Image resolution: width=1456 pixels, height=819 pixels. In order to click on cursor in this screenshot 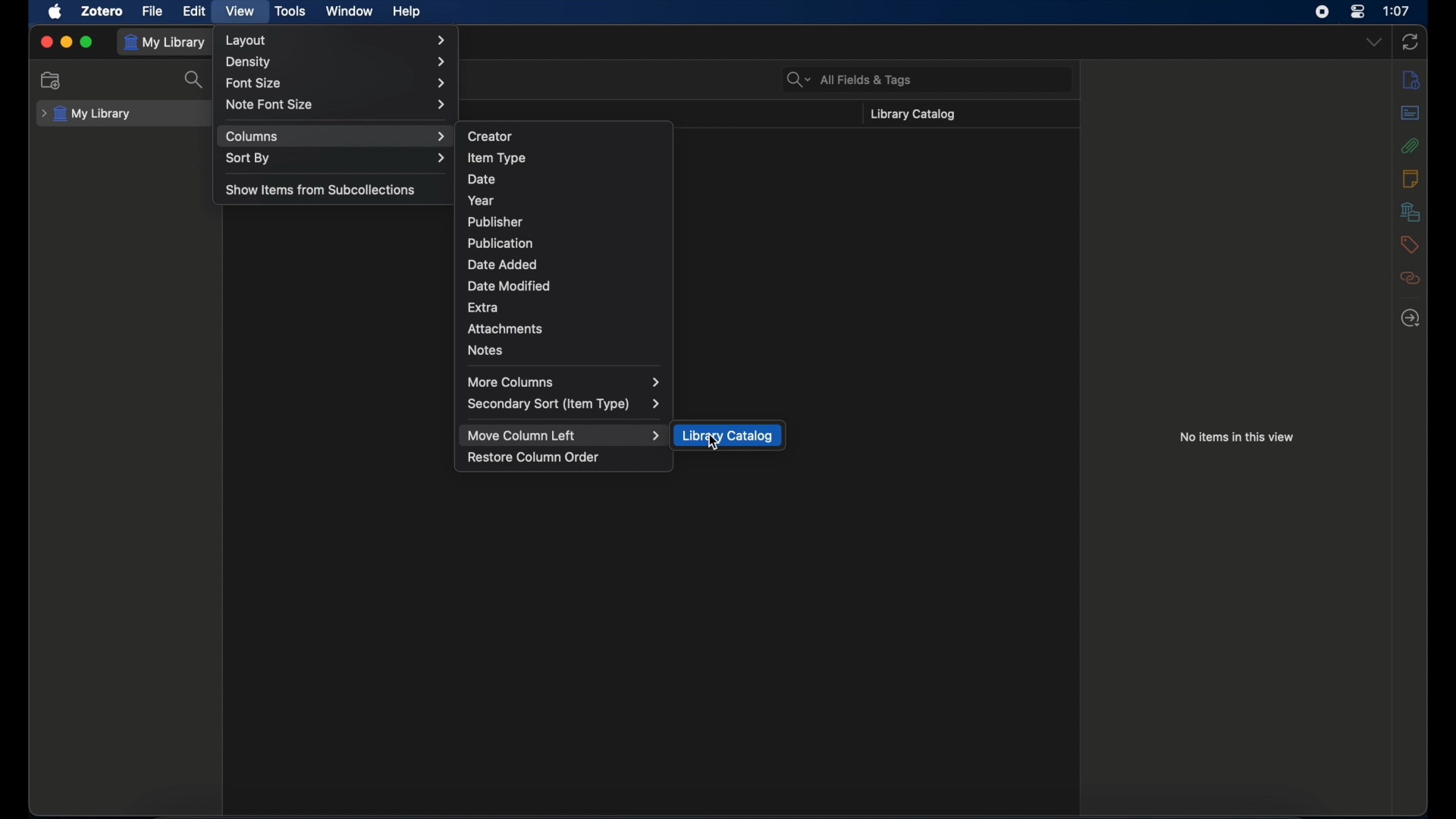, I will do `click(716, 444)`.